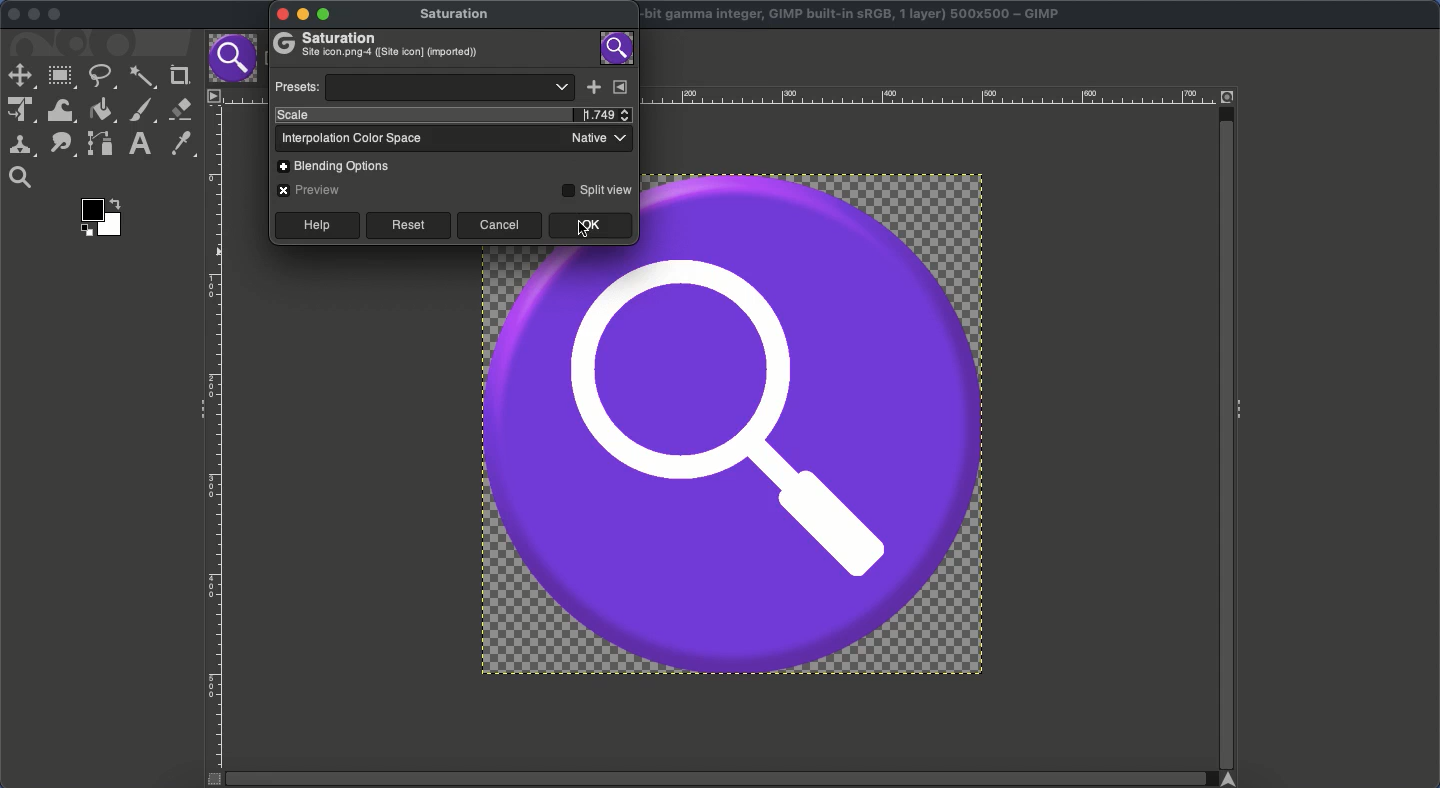 This screenshot has width=1440, height=788. What do you see at coordinates (621, 86) in the screenshot?
I see `Menu` at bounding box center [621, 86].